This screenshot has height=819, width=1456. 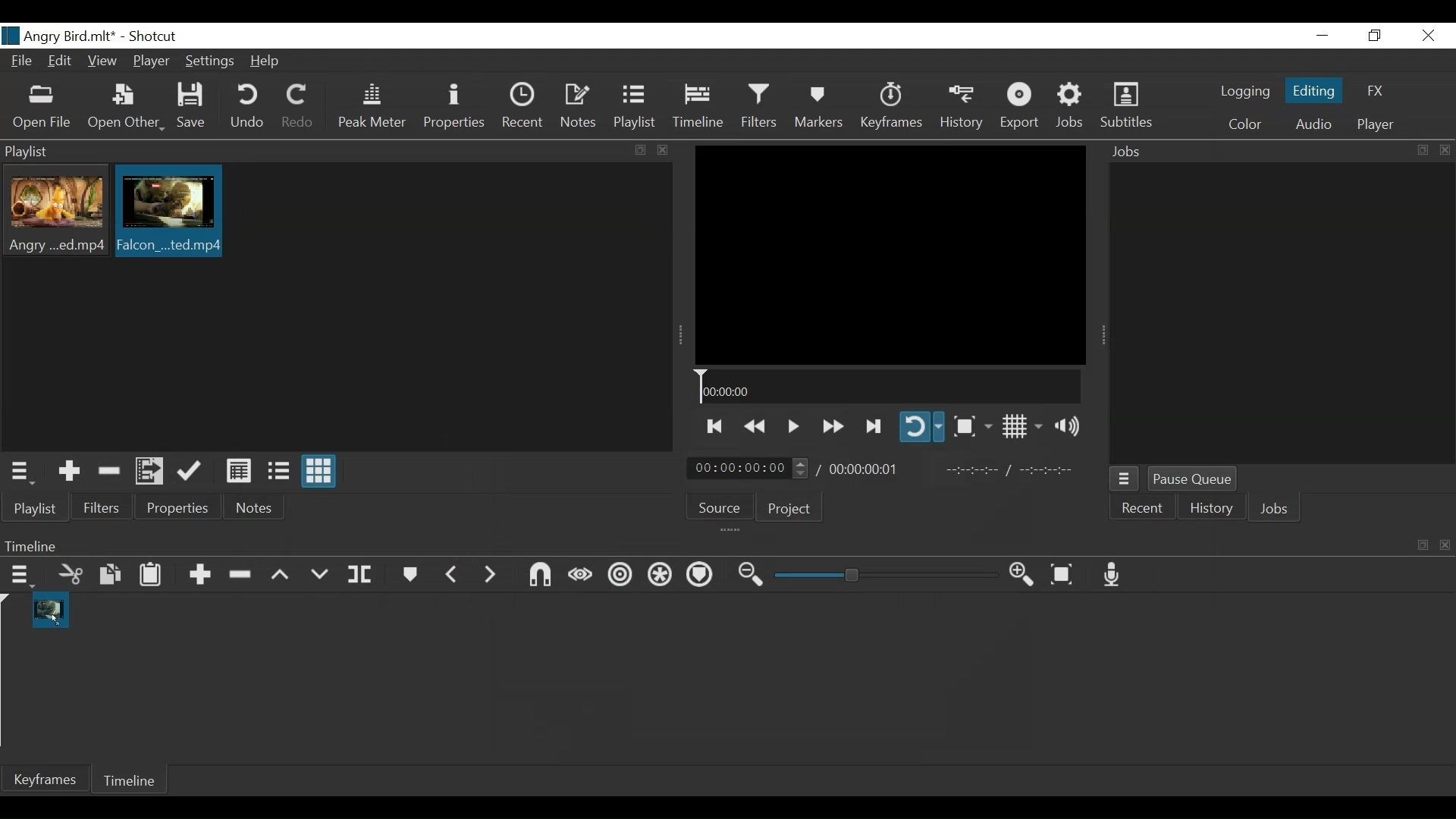 I want to click on close, so click(x=664, y=150).